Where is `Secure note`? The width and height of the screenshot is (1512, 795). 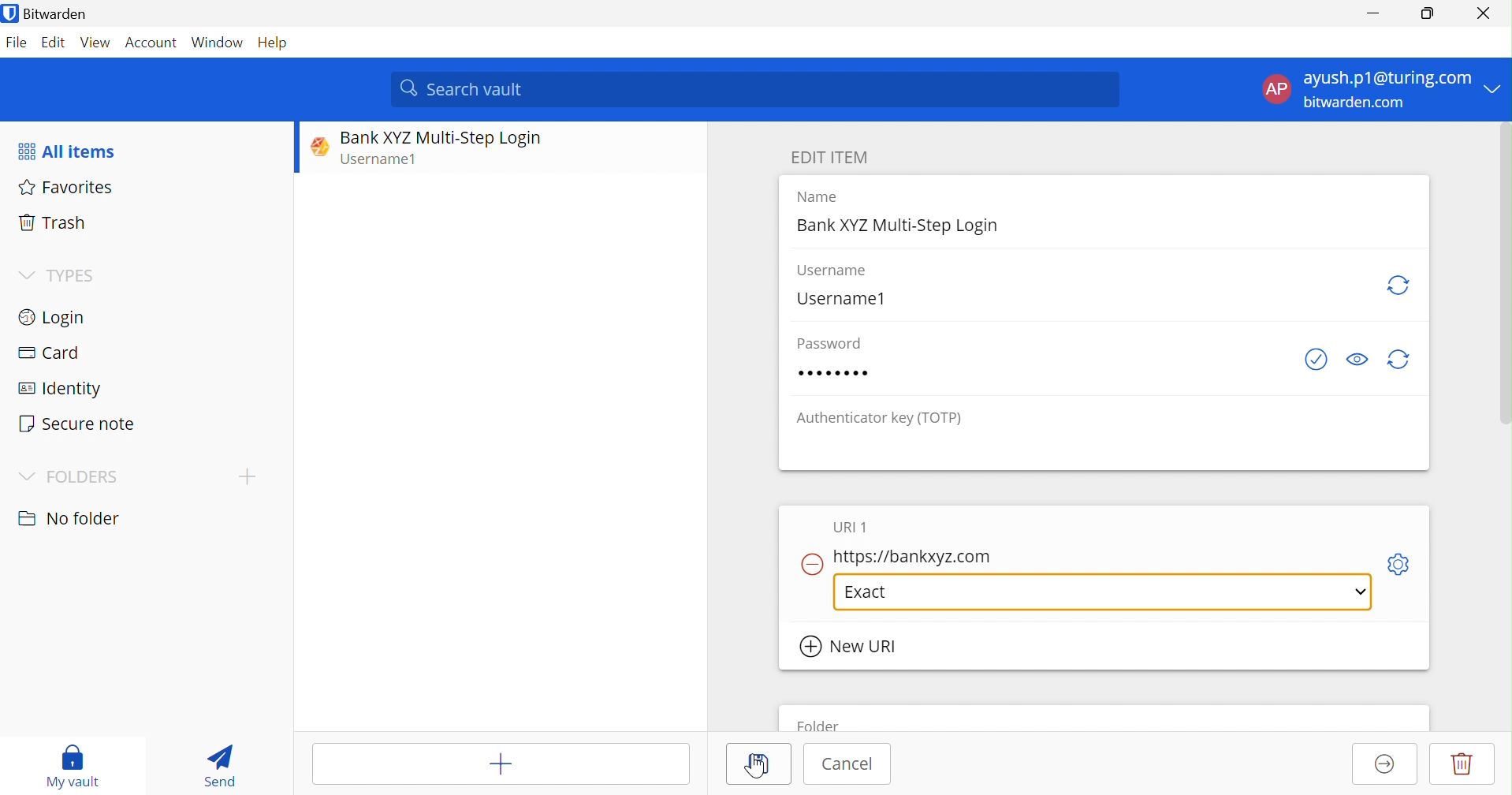 Secure note is located at coordinates (77, 424).